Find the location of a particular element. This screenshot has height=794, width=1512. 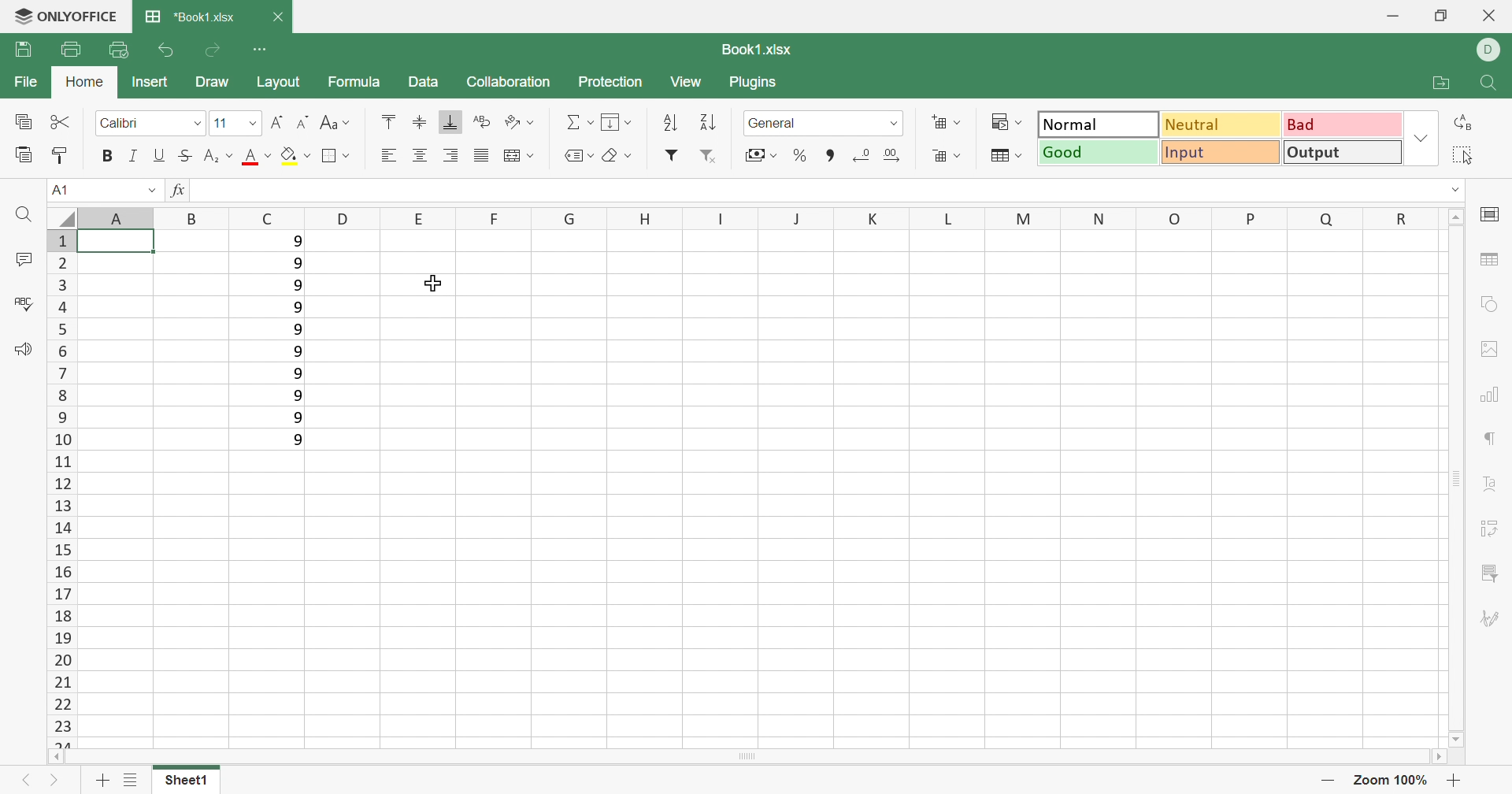

Cursor is located at coordinates (428, 284).